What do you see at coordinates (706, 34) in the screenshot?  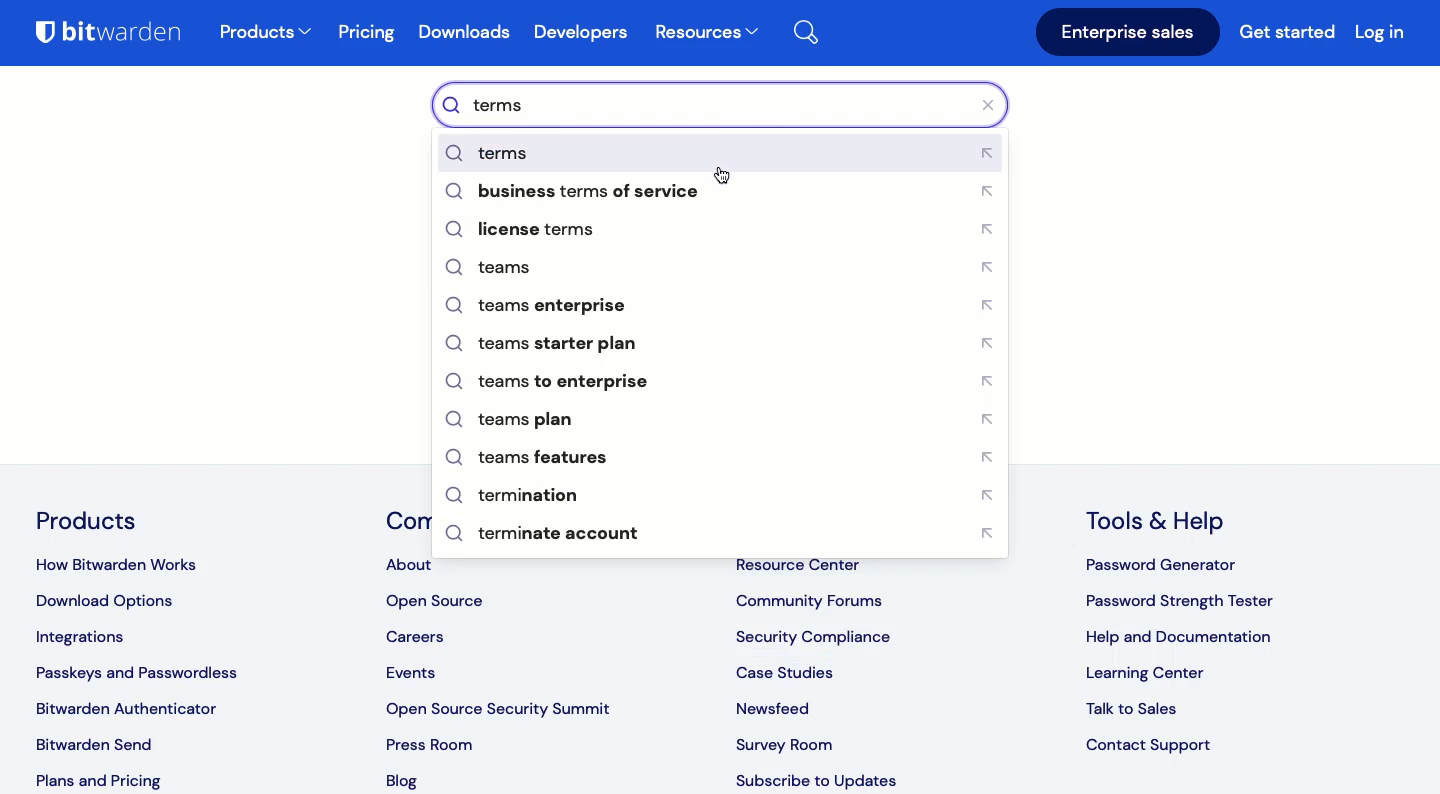 I see `Resources` at bounding box center [706, 34].